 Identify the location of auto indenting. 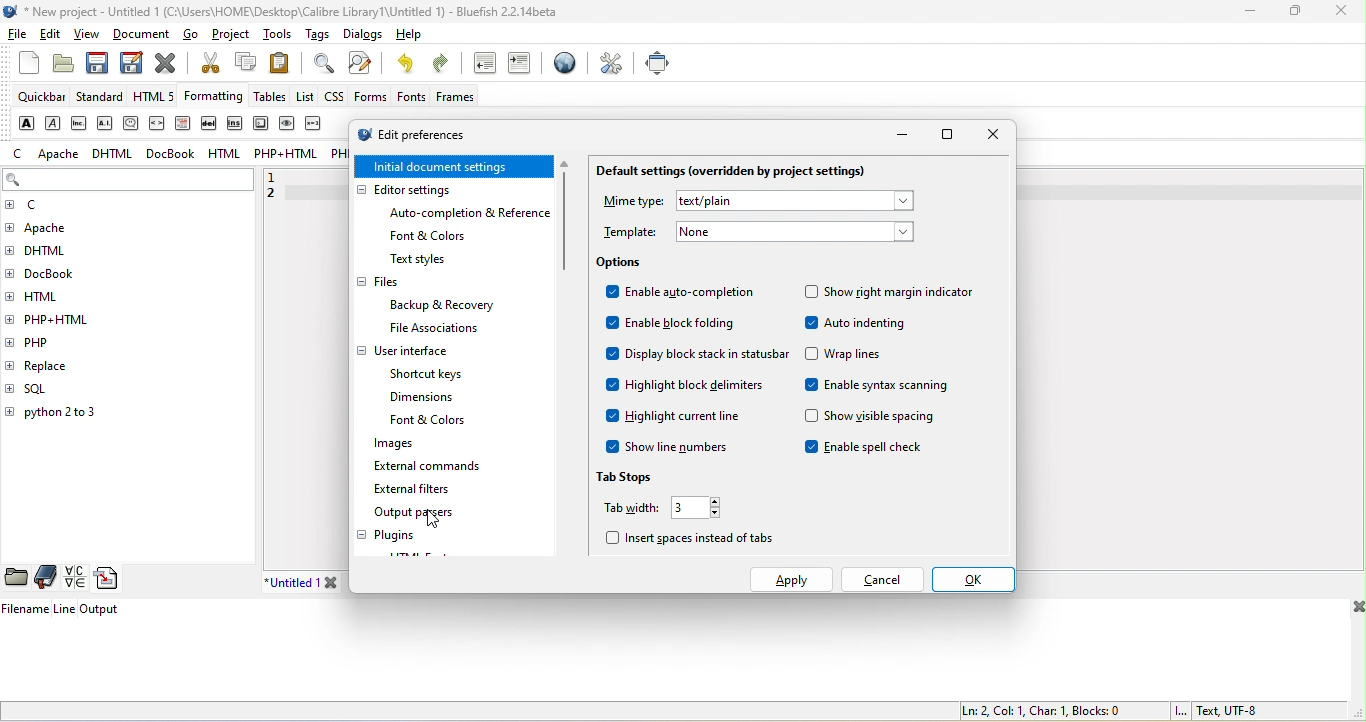
(857, 325).